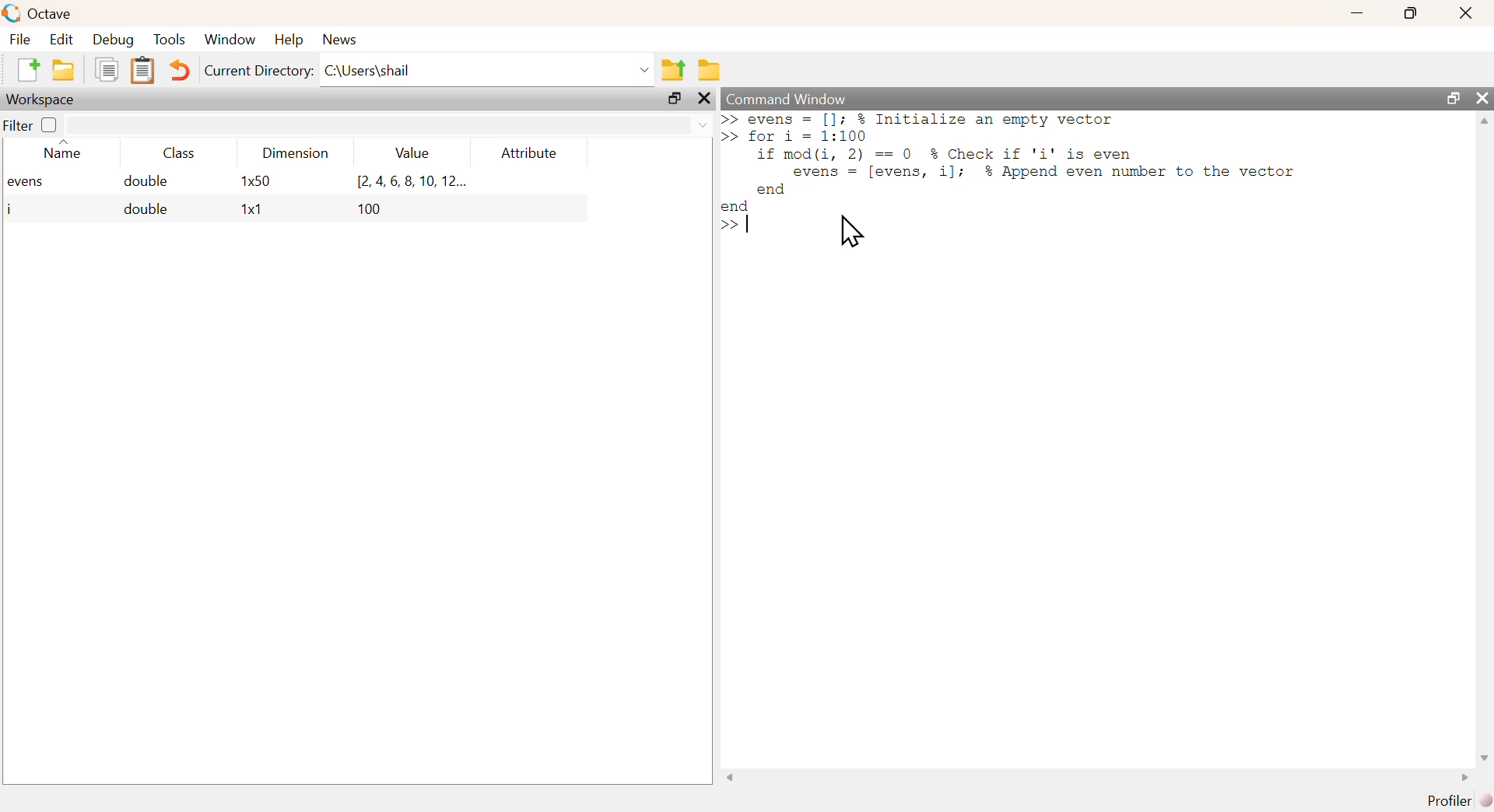  What do you see at coordinates (488, 69) in the screenshot?
I see `C:\Users\shail ` at bounding box center [488, 69].